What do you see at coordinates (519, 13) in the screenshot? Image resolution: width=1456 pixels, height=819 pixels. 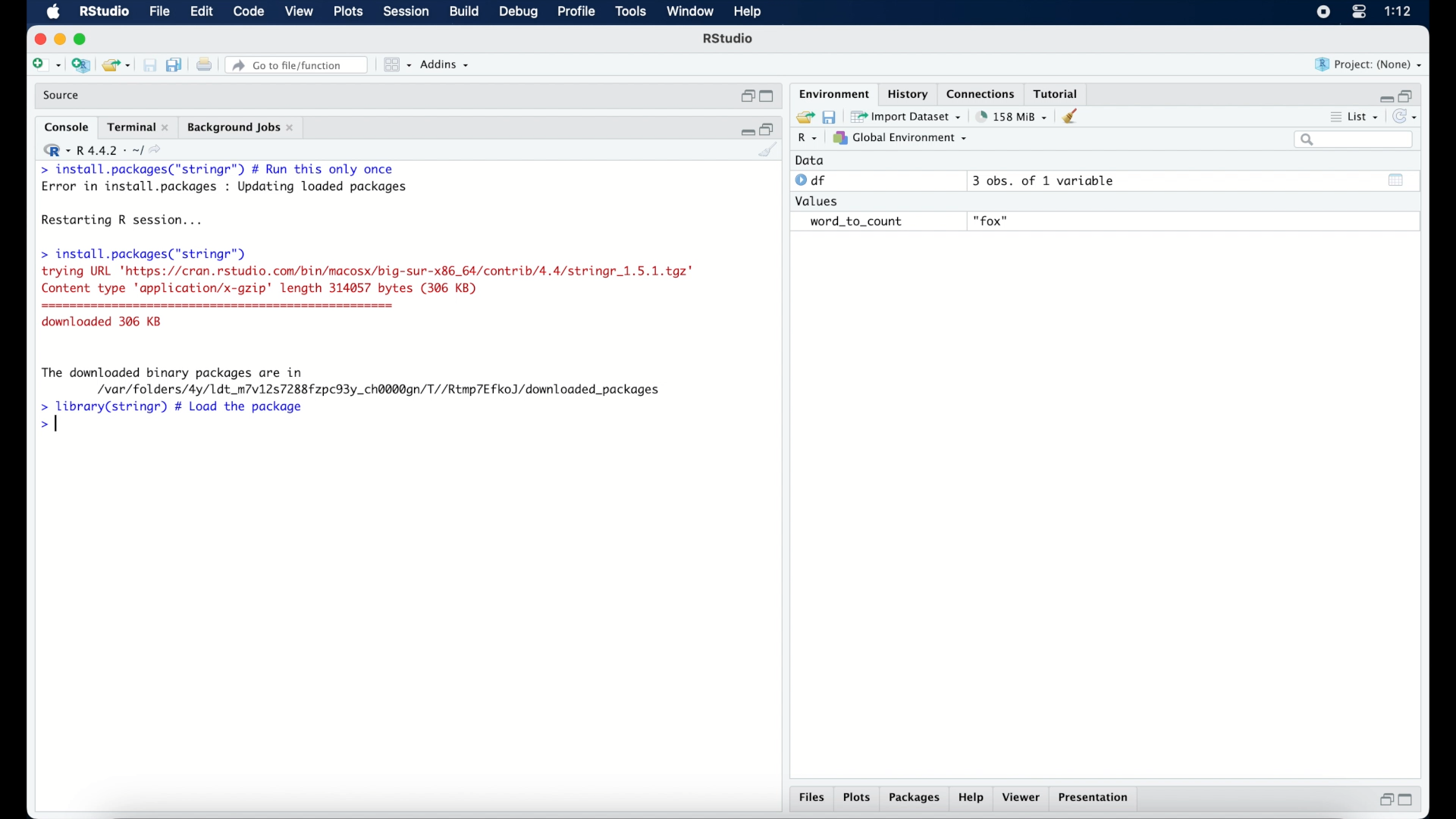 I see `debug` at bounding box center [519, 13].